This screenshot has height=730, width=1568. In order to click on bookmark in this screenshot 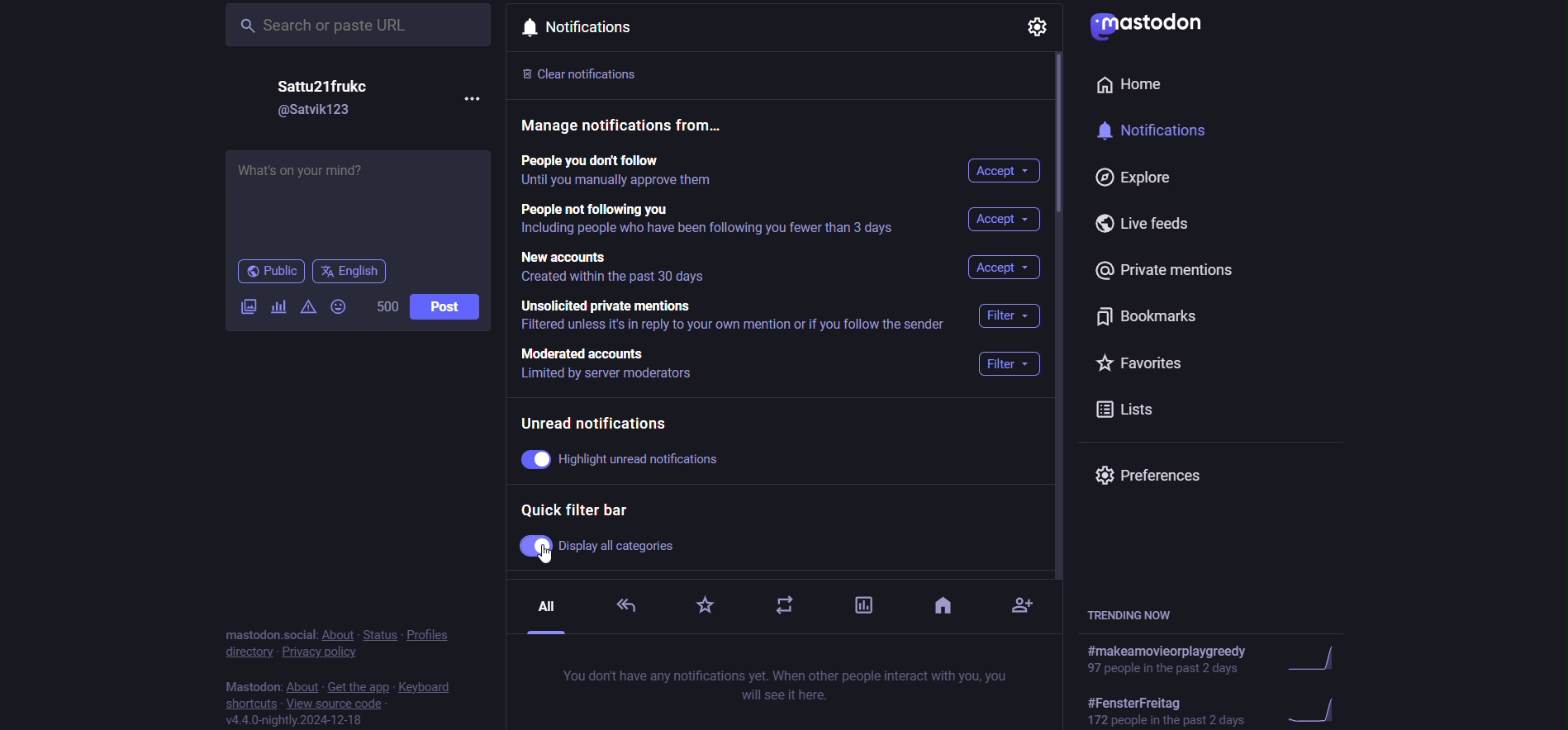, I will do `click(1159, 315)`.